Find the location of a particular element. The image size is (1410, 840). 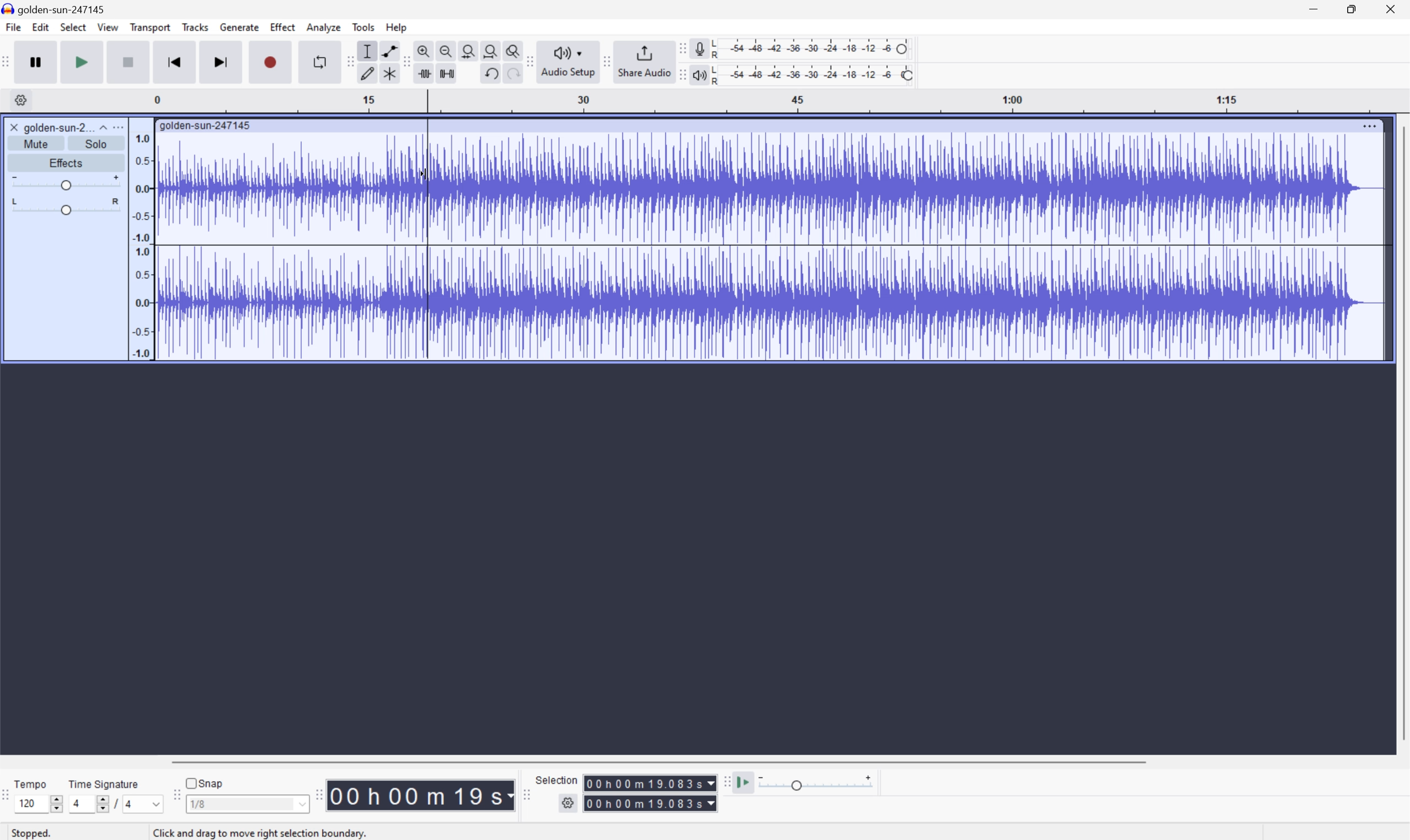

Audacity selection toolbar is located at coordinates (526, 798).